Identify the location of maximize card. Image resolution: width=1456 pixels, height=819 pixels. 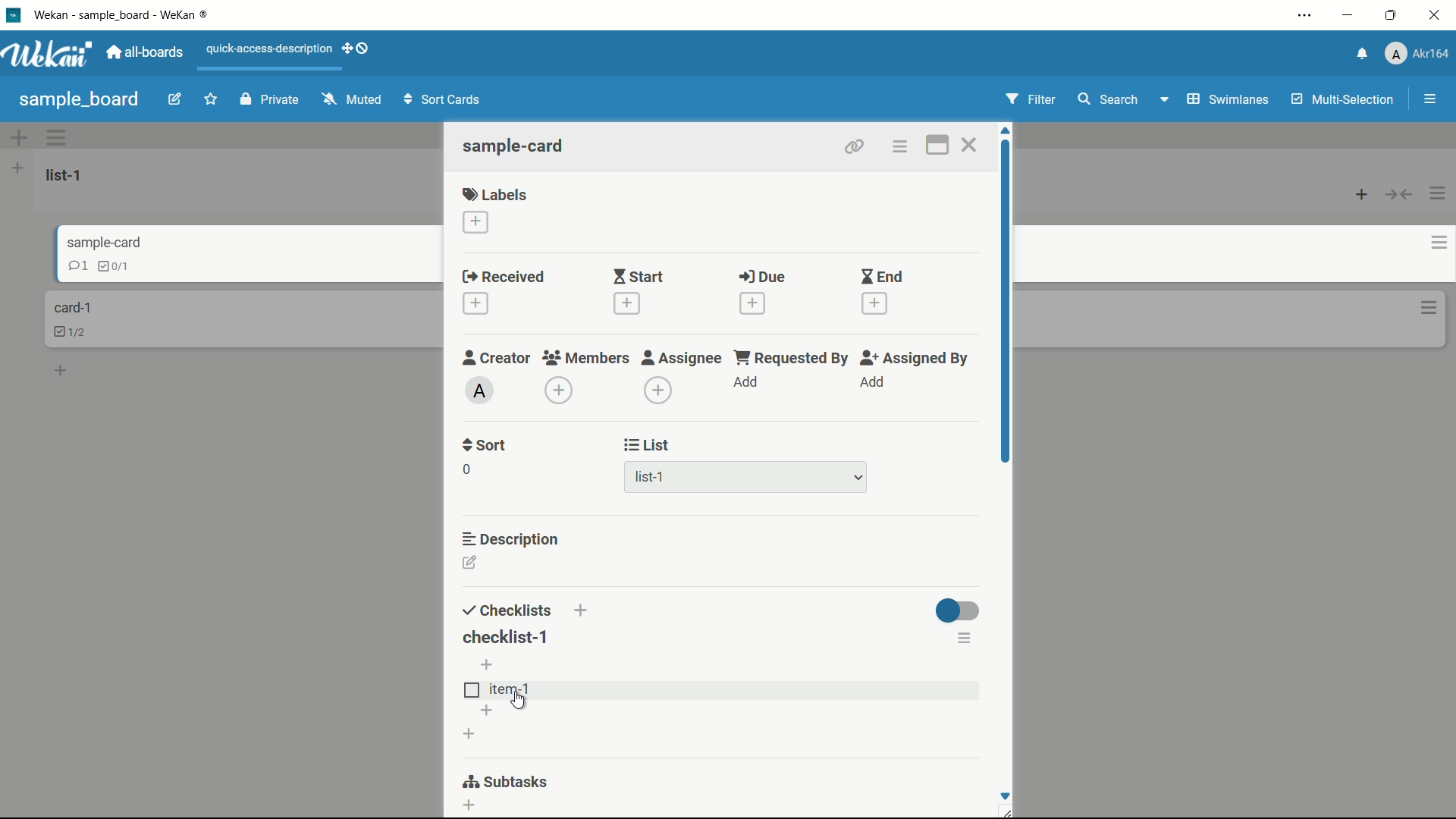
(938, 145).